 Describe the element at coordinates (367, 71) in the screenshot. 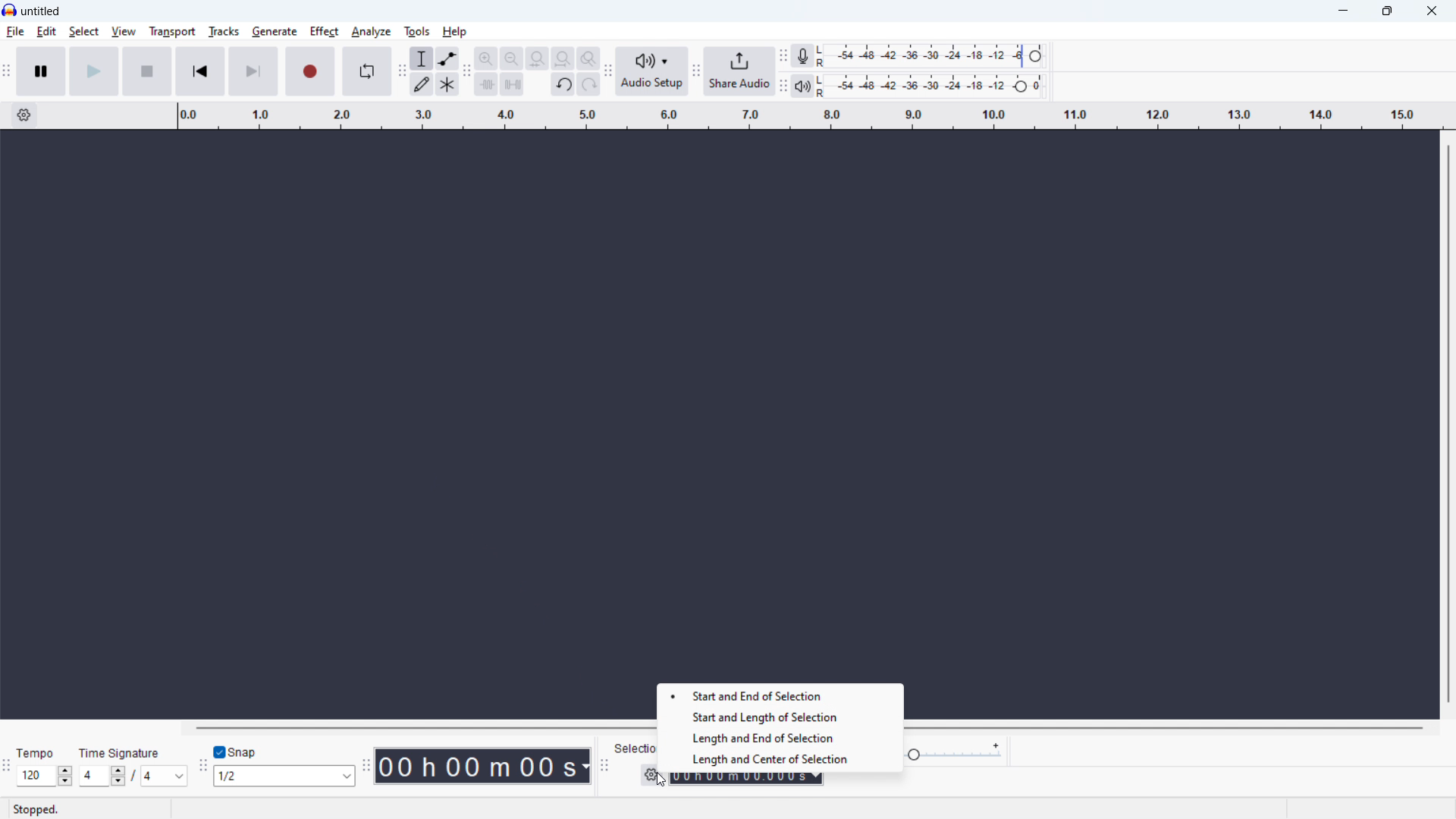

I see `enable loop` at that location.